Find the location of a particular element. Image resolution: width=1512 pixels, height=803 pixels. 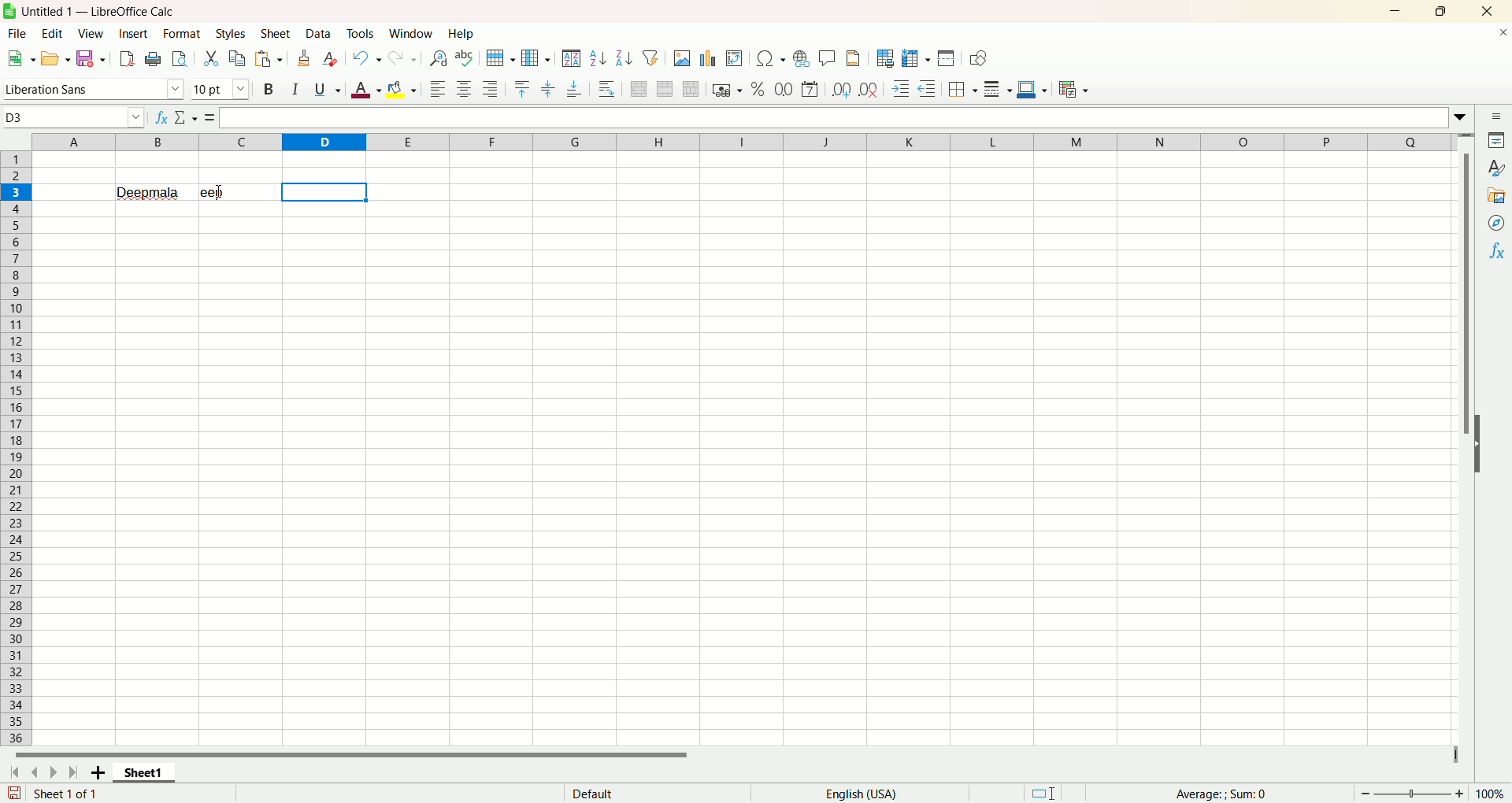

Decrease indent is located at coordinates (928, 88).